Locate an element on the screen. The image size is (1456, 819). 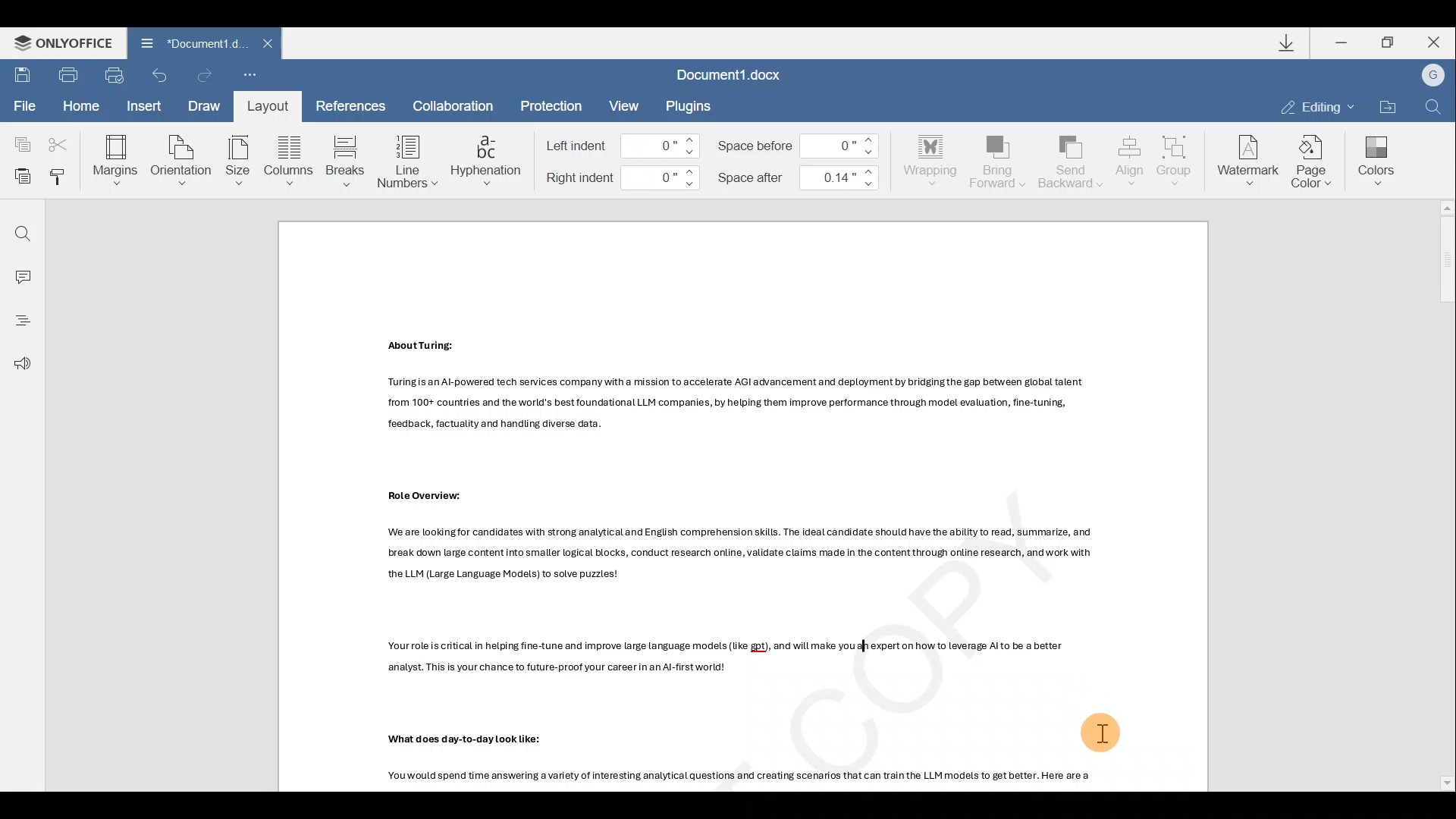
 is located at coordinates (428, 347).